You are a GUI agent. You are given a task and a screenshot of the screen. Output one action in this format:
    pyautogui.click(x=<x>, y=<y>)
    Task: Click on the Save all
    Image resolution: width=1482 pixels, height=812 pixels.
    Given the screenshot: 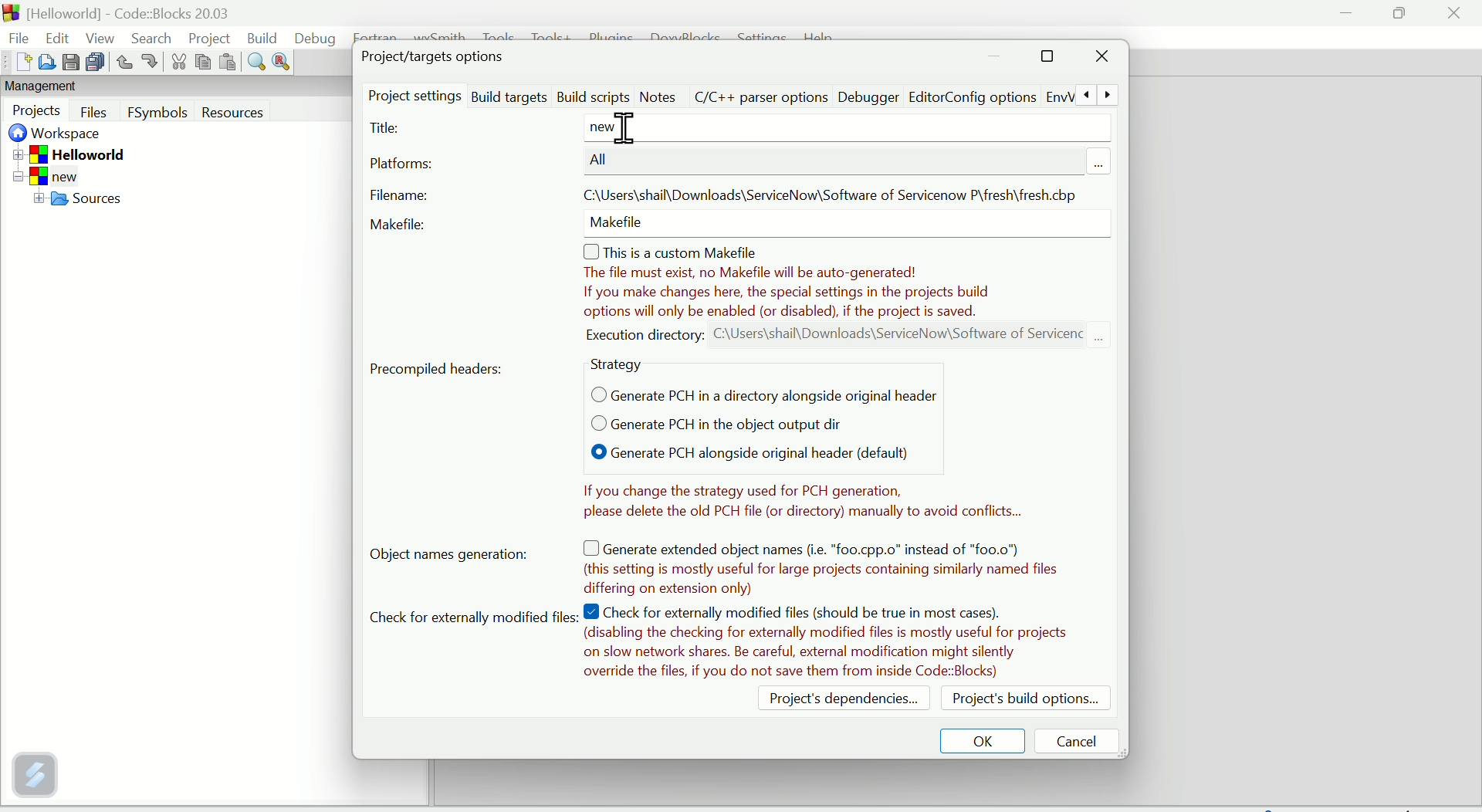 What is the action you would take?
    pyautogui.click(x=98, y=63)
    